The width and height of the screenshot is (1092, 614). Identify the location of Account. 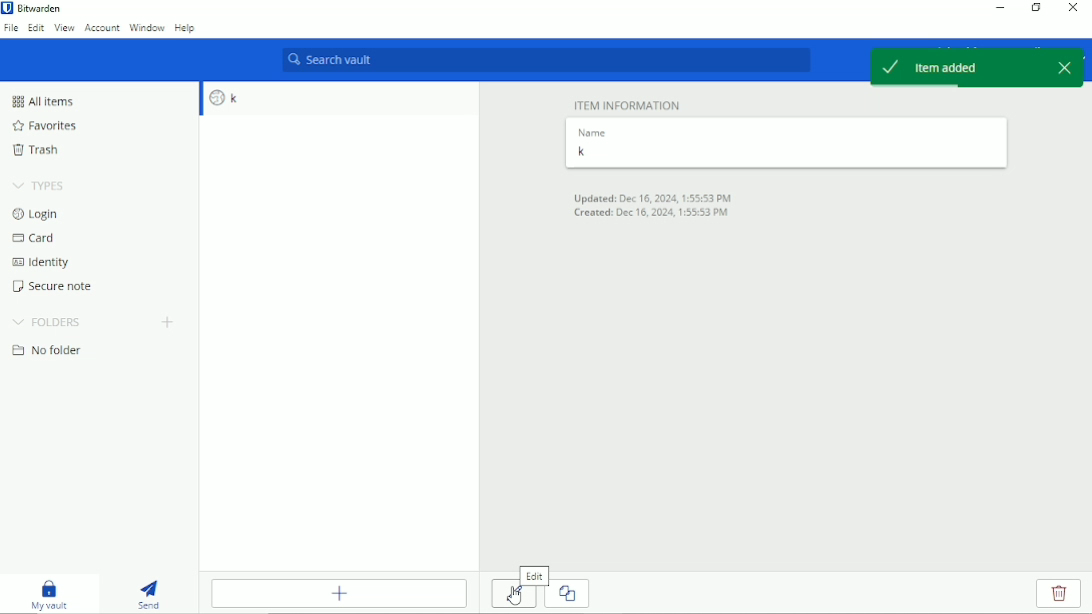
(101, 29).